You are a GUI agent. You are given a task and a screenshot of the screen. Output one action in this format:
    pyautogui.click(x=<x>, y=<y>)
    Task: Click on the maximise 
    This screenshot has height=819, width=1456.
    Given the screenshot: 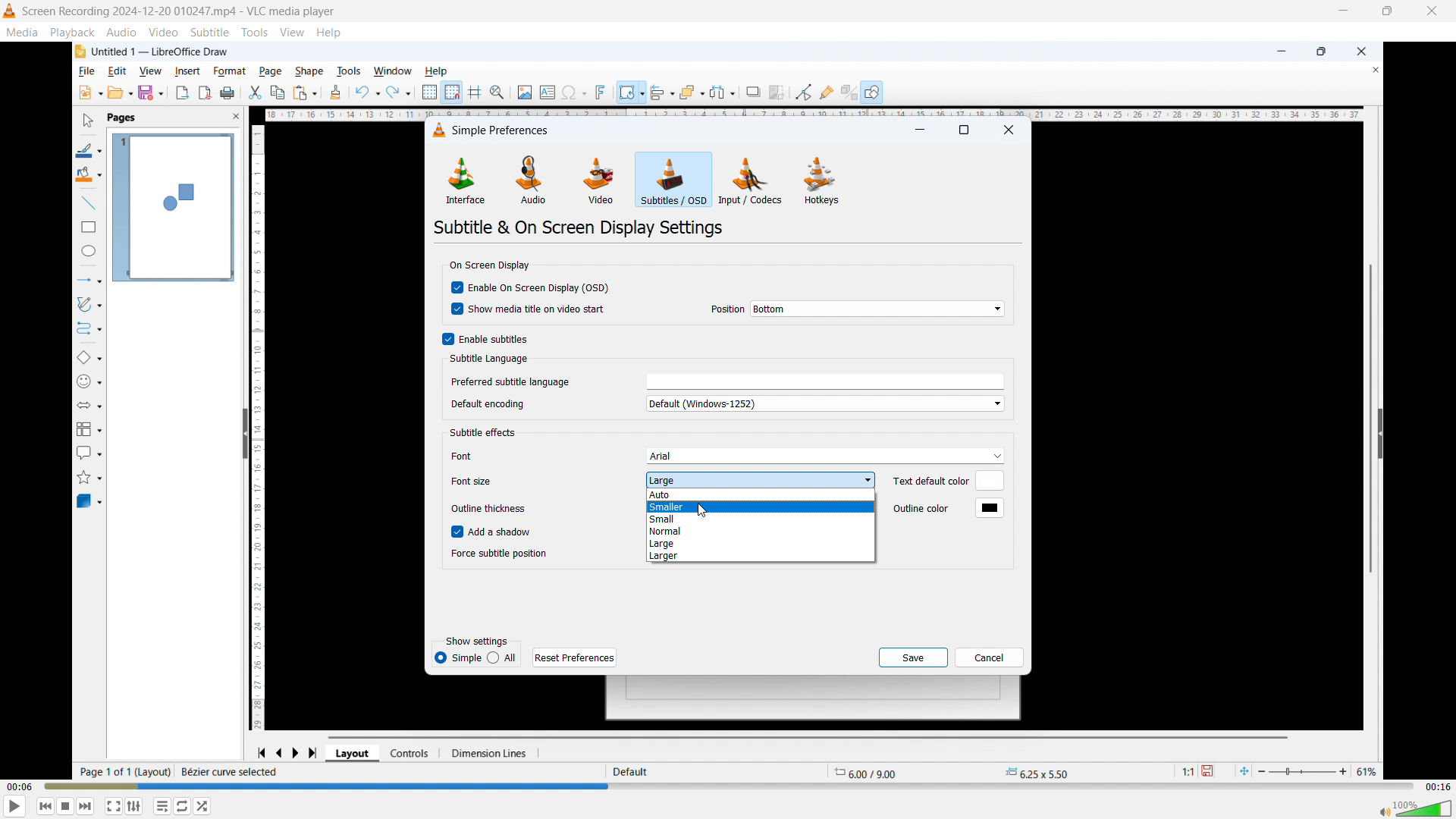 What is the action you would take?
    pyautogui.click(x=965, y=130)
    